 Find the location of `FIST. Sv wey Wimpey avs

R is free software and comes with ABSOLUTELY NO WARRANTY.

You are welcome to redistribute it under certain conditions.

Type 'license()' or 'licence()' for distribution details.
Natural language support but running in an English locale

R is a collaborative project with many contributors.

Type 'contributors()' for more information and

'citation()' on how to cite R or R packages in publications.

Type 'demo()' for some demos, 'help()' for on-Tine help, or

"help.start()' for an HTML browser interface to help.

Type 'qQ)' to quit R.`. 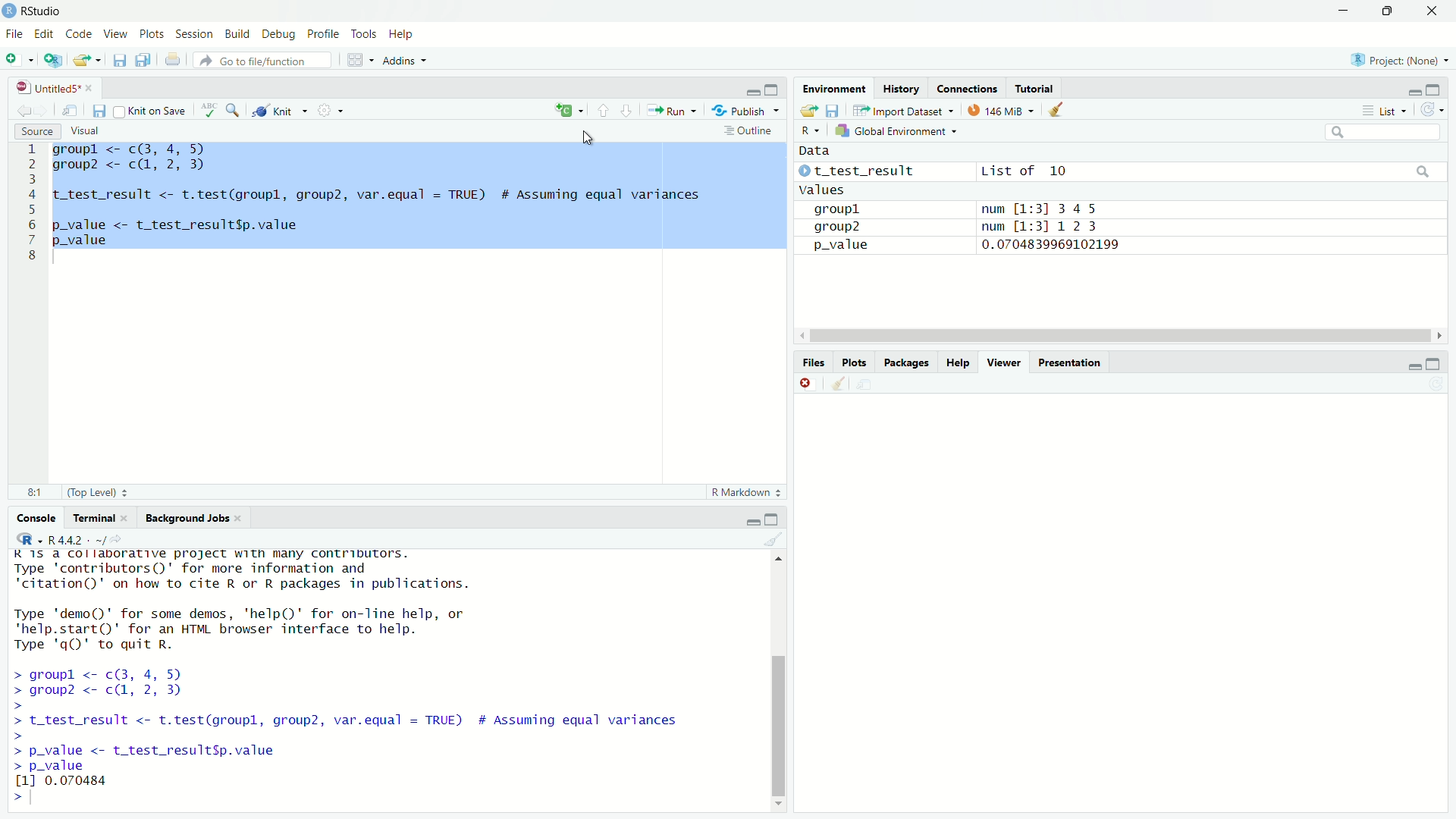

FIST. Sv wey Wimpey avs

R is free software and comes with ABSOLUTELY NO WARRANTY.

You are welcome to redistribute it under certain conditions.

Type 'license()' or 'licence()' for distribution details.
Natural language support but running in an English locale

R is a collaborative project with many contributors.

Type 'contributors()' for more information and

'citation()' on how to cite R or R packages in publications.

Type 'demo()' for some demos, 'help()' for on-Tine help, or

"help.start()' for an HTML browser interface to help.

Type 'qQ)' to quit R. is located at coordinates (363, 668).